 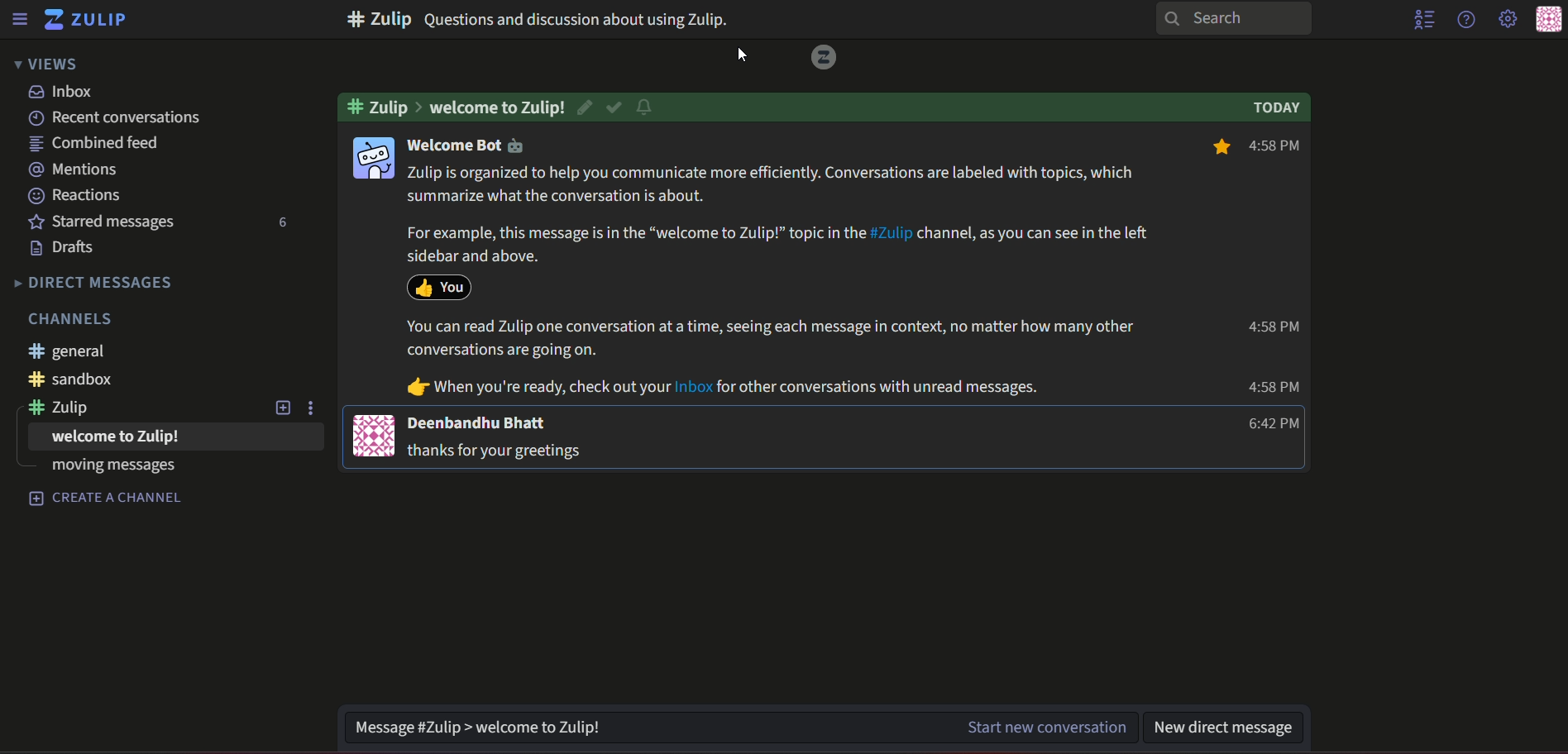 What do you see at coordinates (23, 19) in the screenshot?
I see `menu` at bounding box center [23, 19].